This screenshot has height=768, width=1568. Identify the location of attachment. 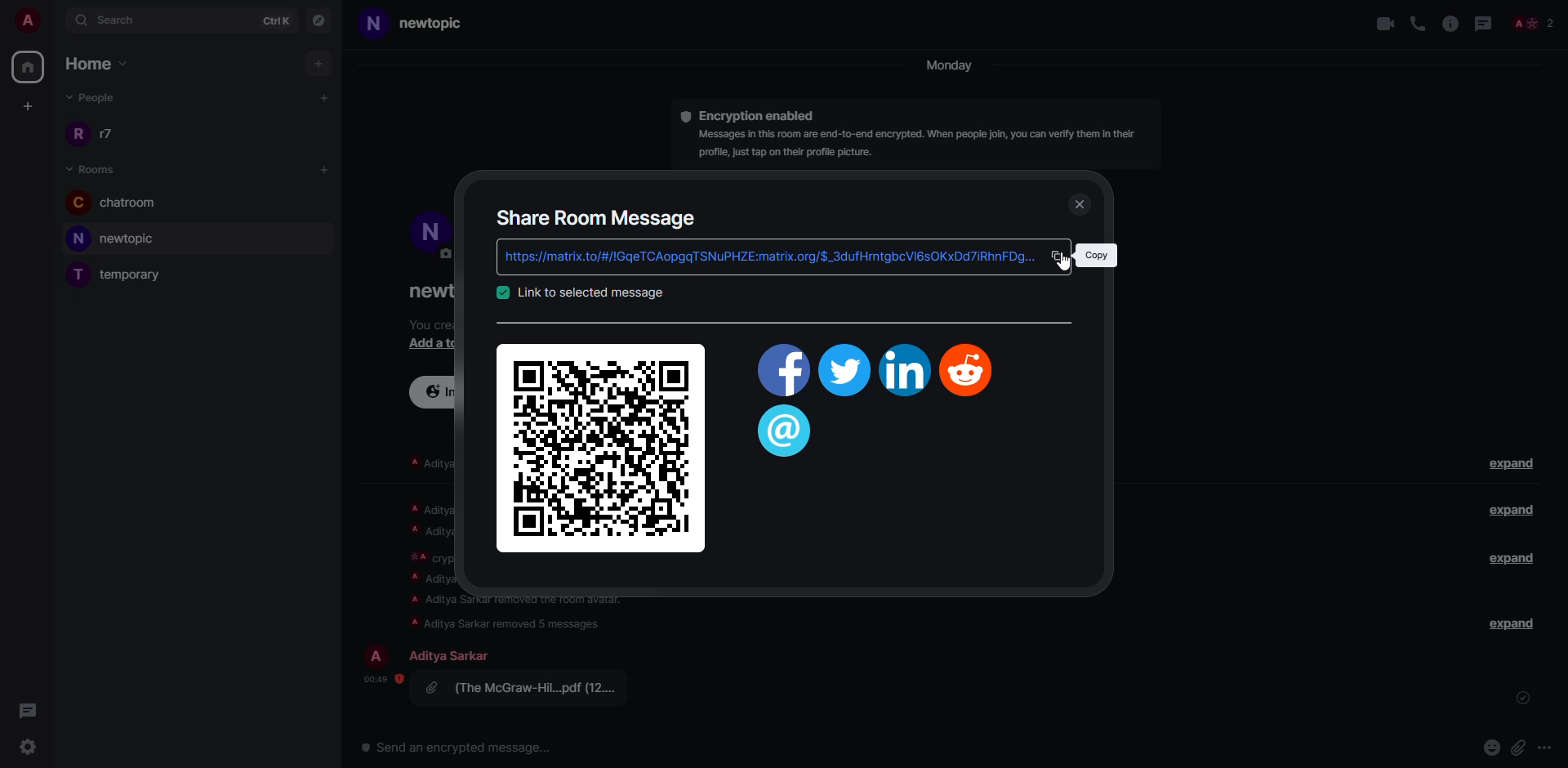
(528, 687).